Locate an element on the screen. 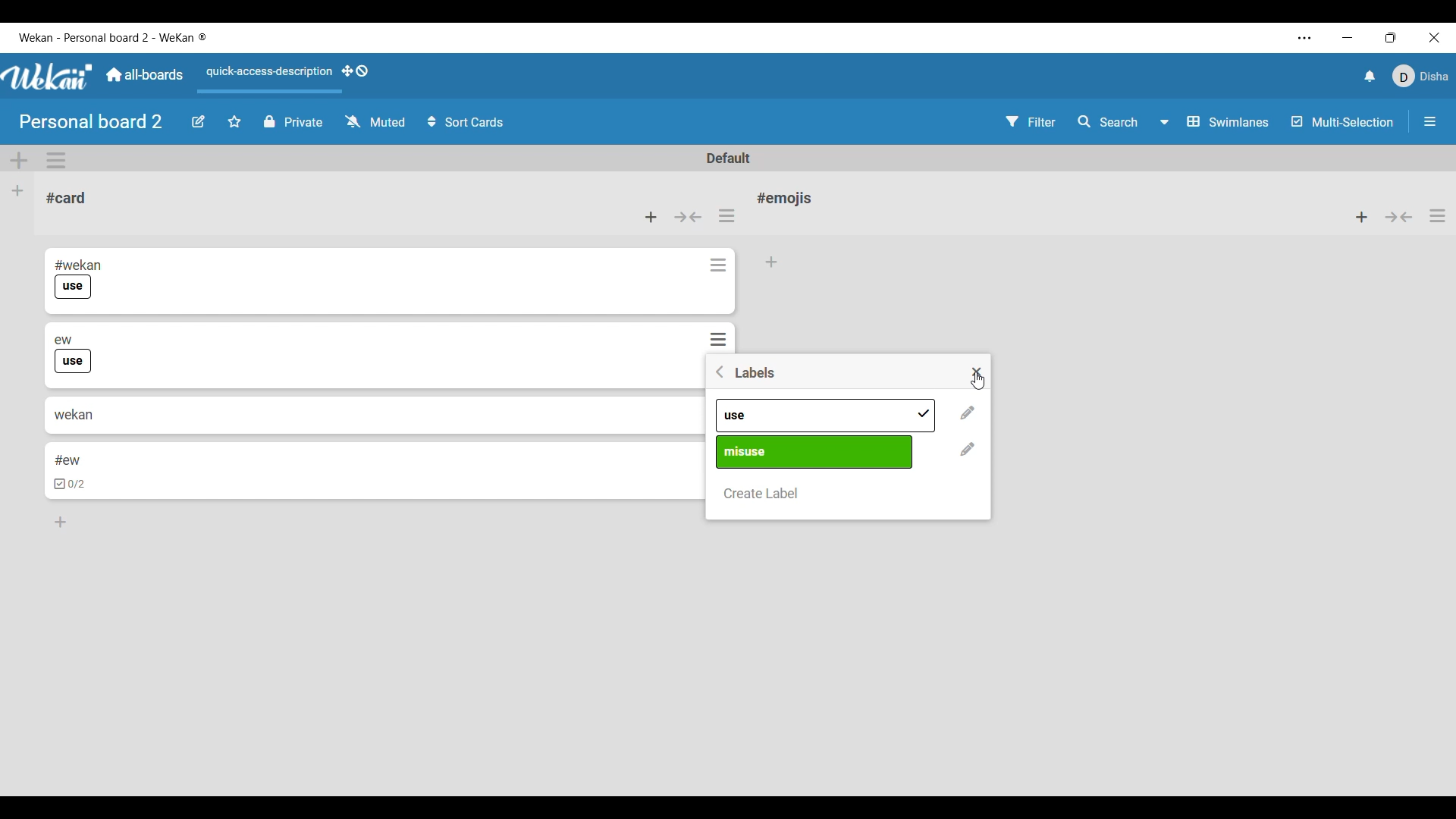 The image size is (1456, 819). Sort card options is located at coordinates (466, 121).